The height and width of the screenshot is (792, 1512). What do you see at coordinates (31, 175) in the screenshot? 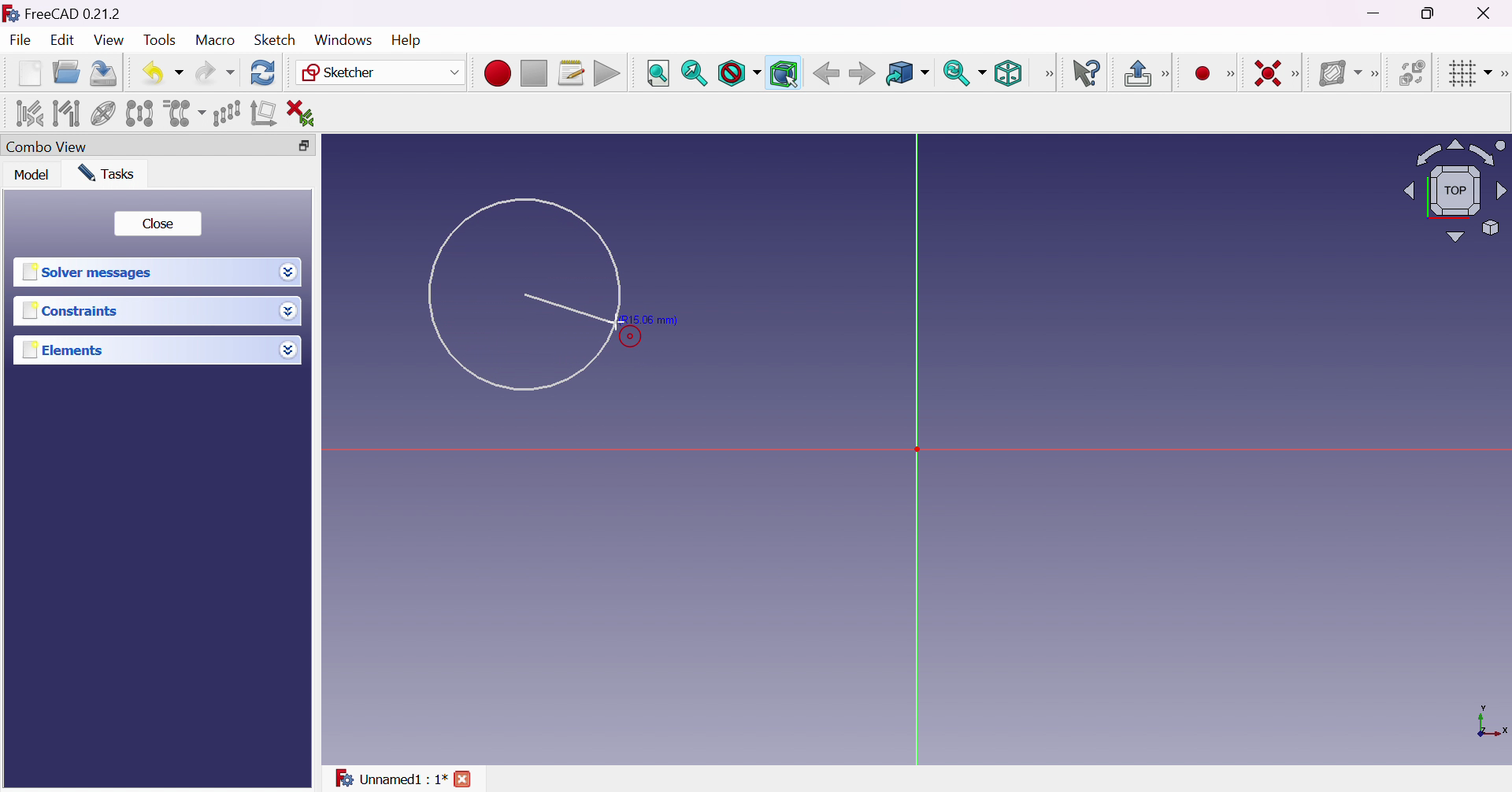
I see `Model` at bounding box center [31, 175].